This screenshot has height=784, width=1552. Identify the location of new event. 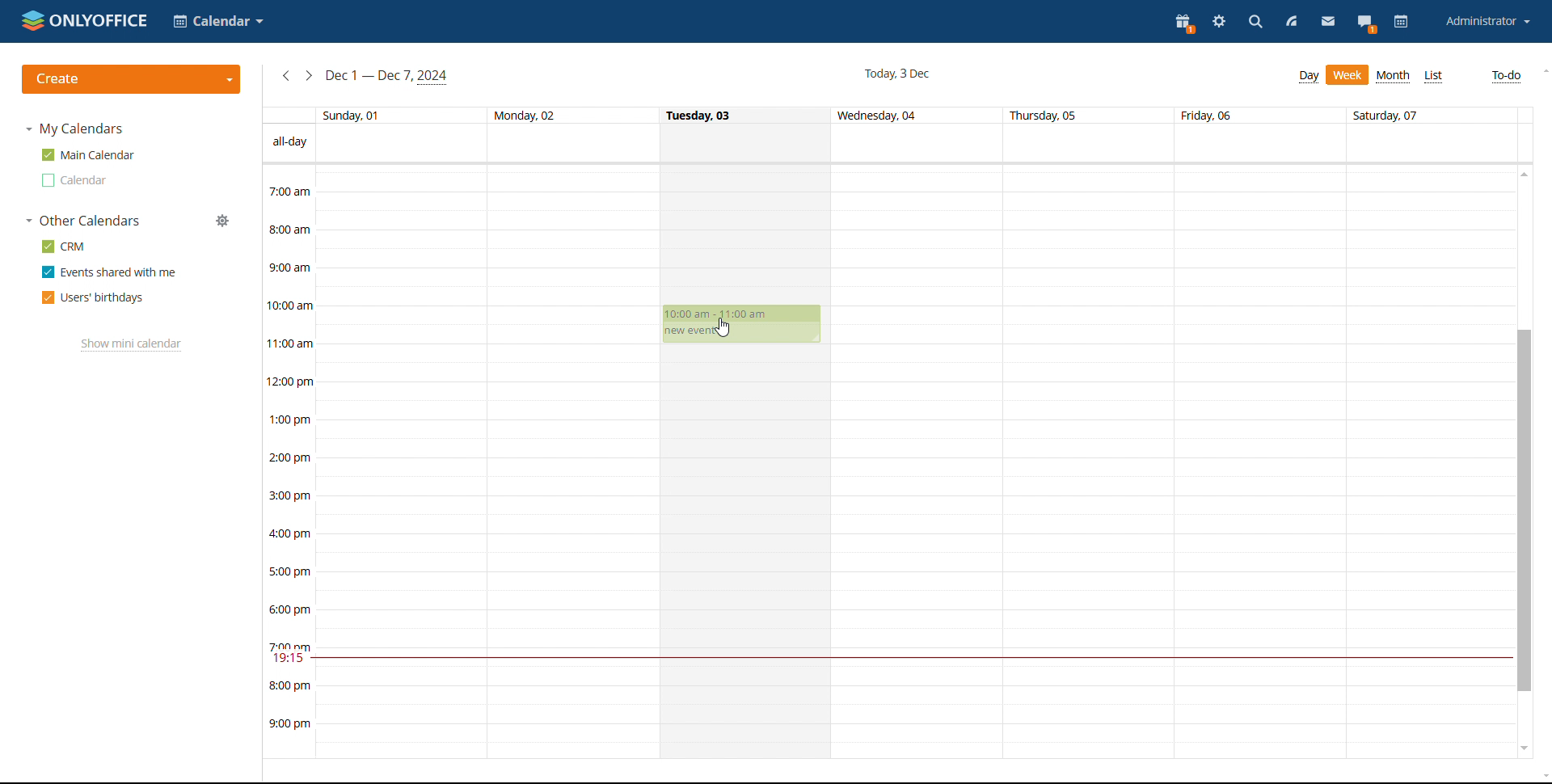
(689, 332).